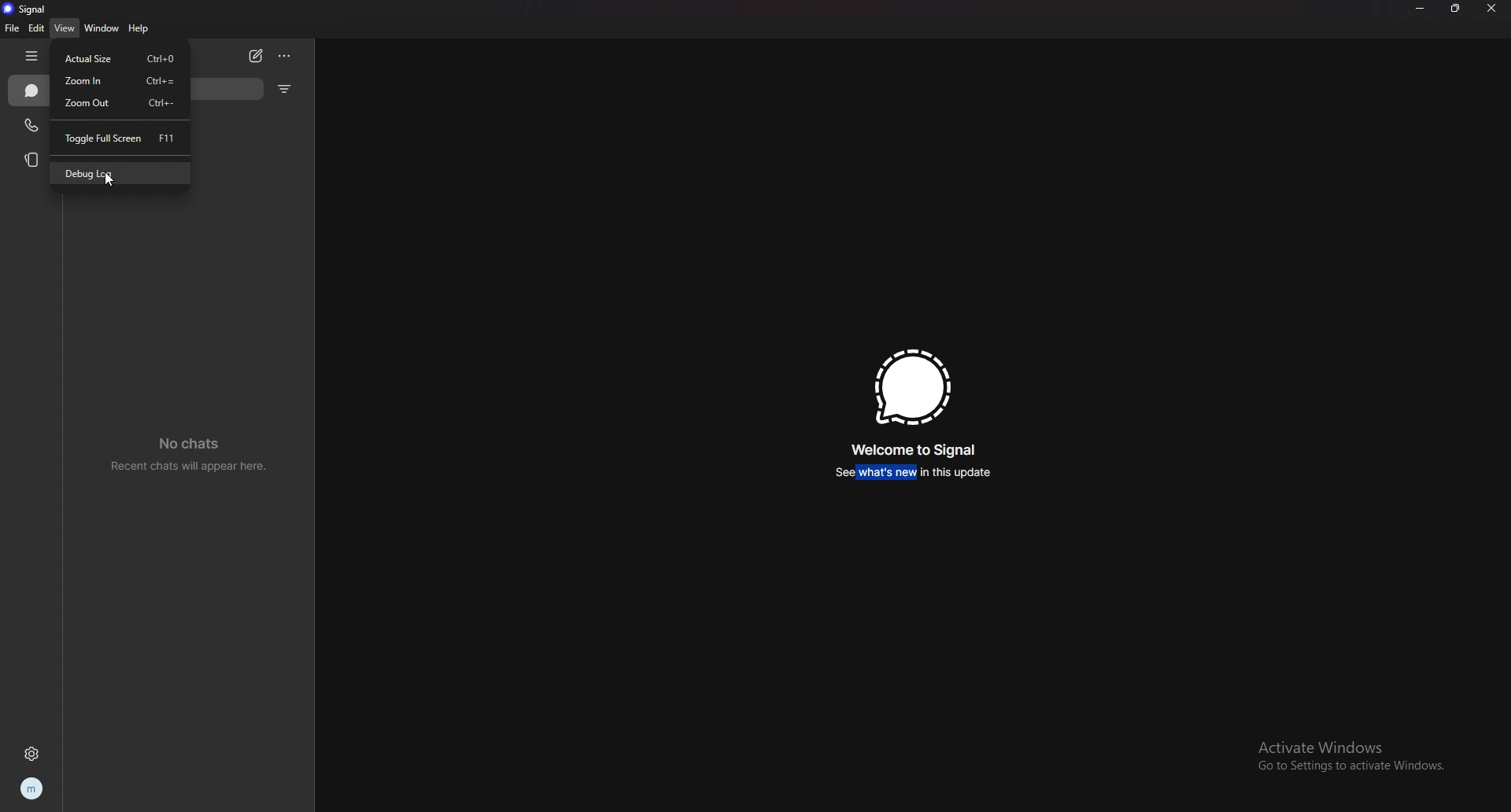 The width and height of the screenshot is (1511, 812). Describe the element at coordinates (139, 29) in the screenshot. I see `help` at that location.